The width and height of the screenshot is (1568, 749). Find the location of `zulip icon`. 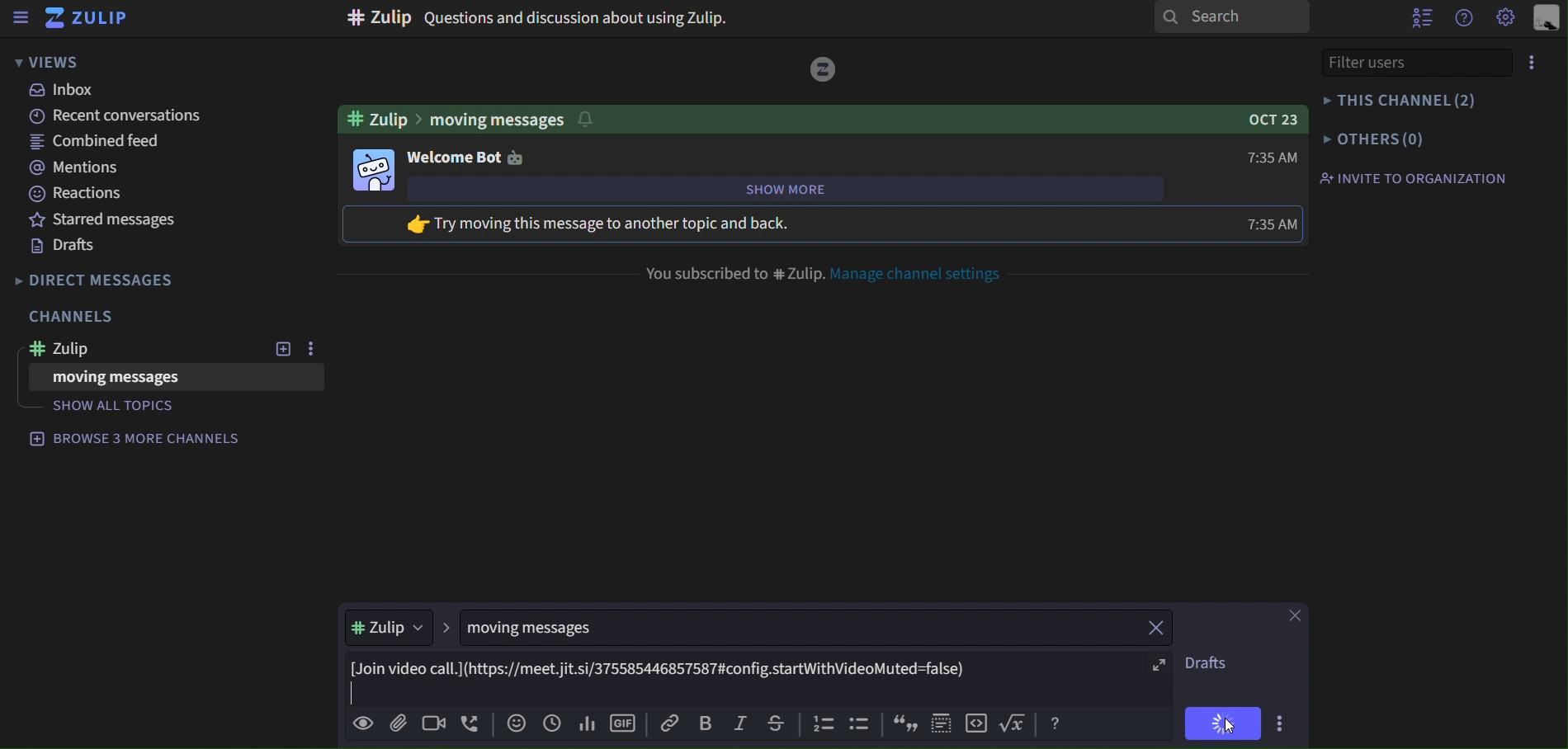

zulip icon is located at coordinates (86, 19).